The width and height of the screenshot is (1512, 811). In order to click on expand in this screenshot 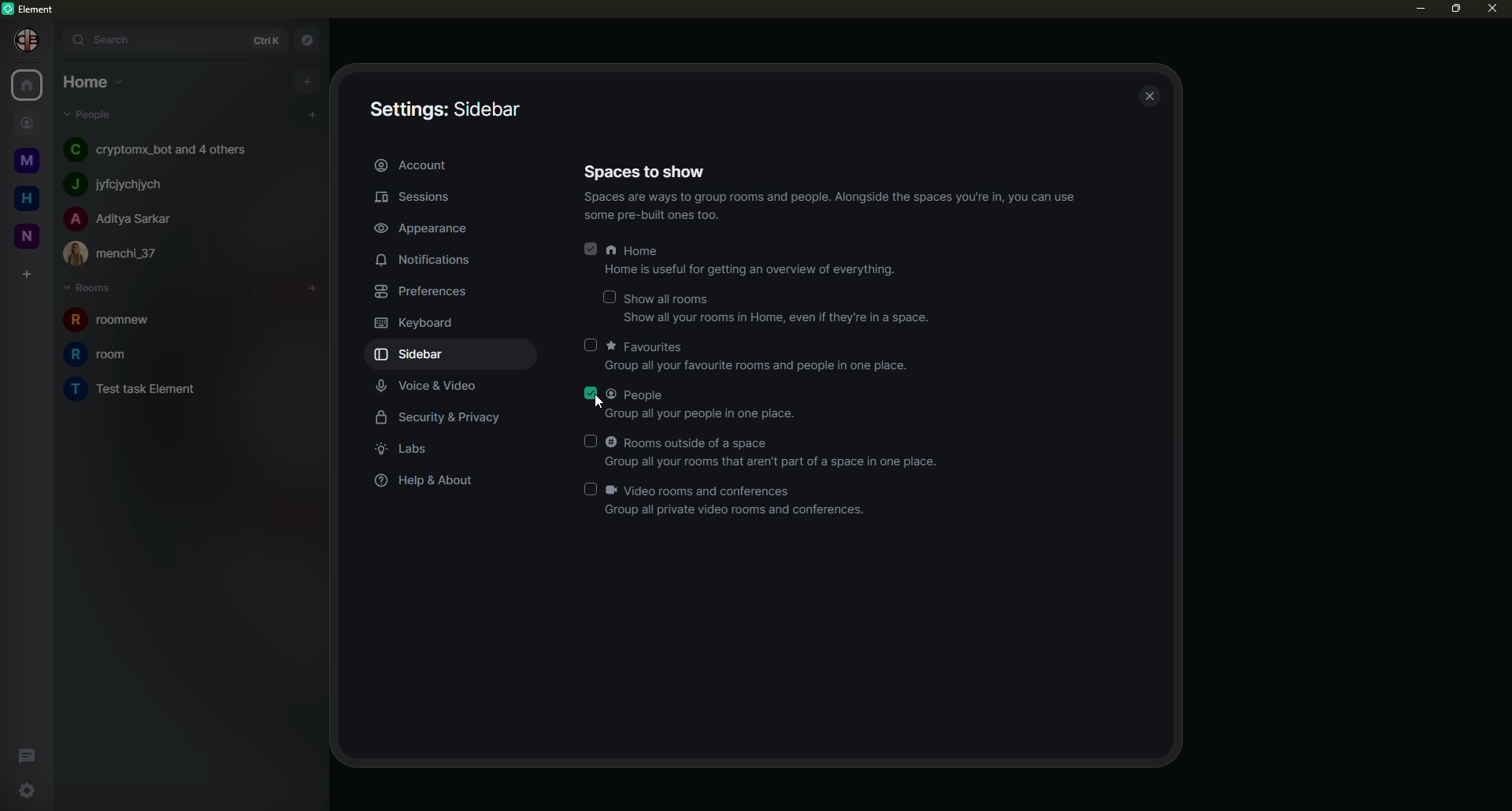, I will do `click(54, 39)`.